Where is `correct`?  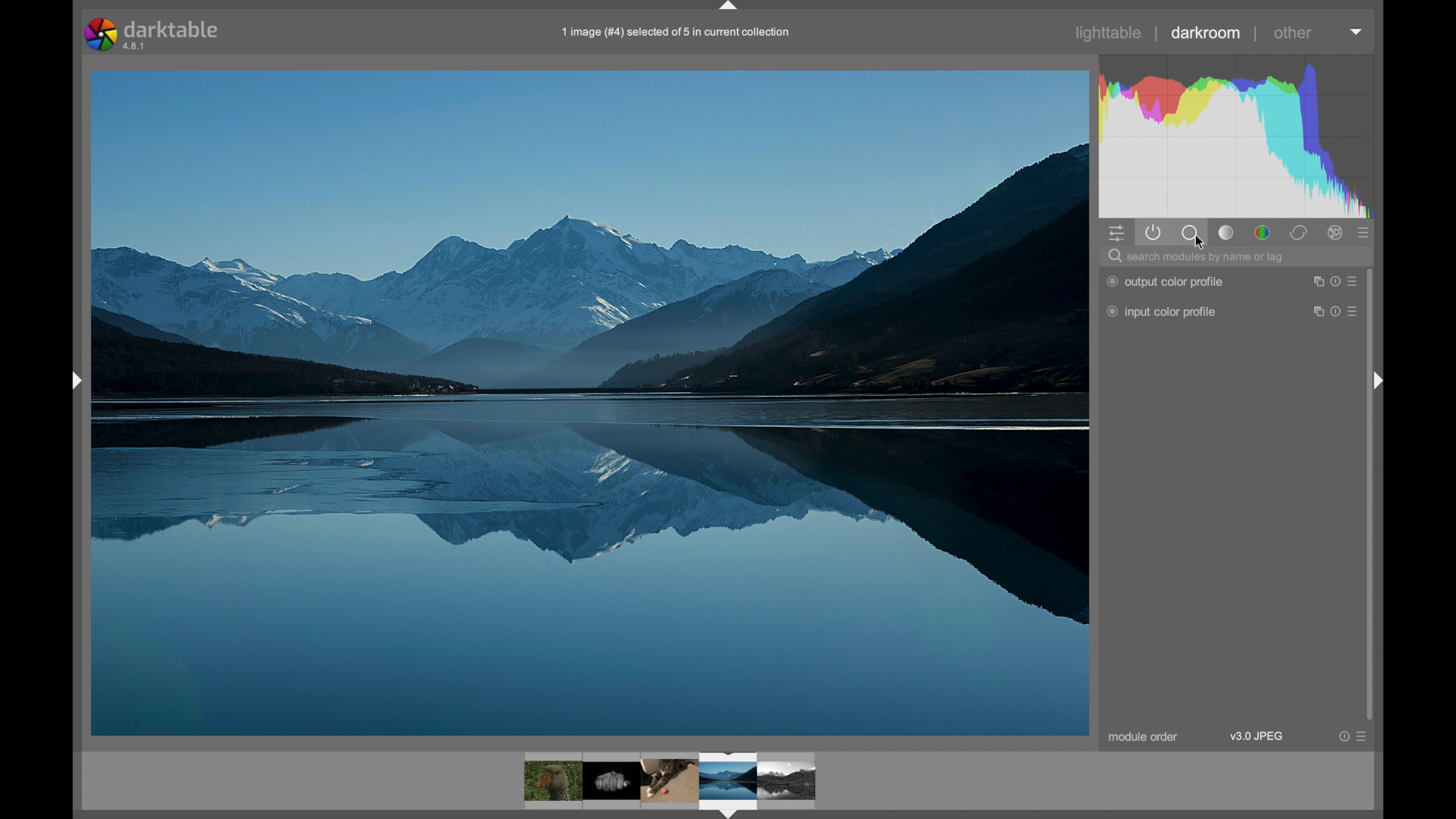
correct is located at coordinates (1299, 233).